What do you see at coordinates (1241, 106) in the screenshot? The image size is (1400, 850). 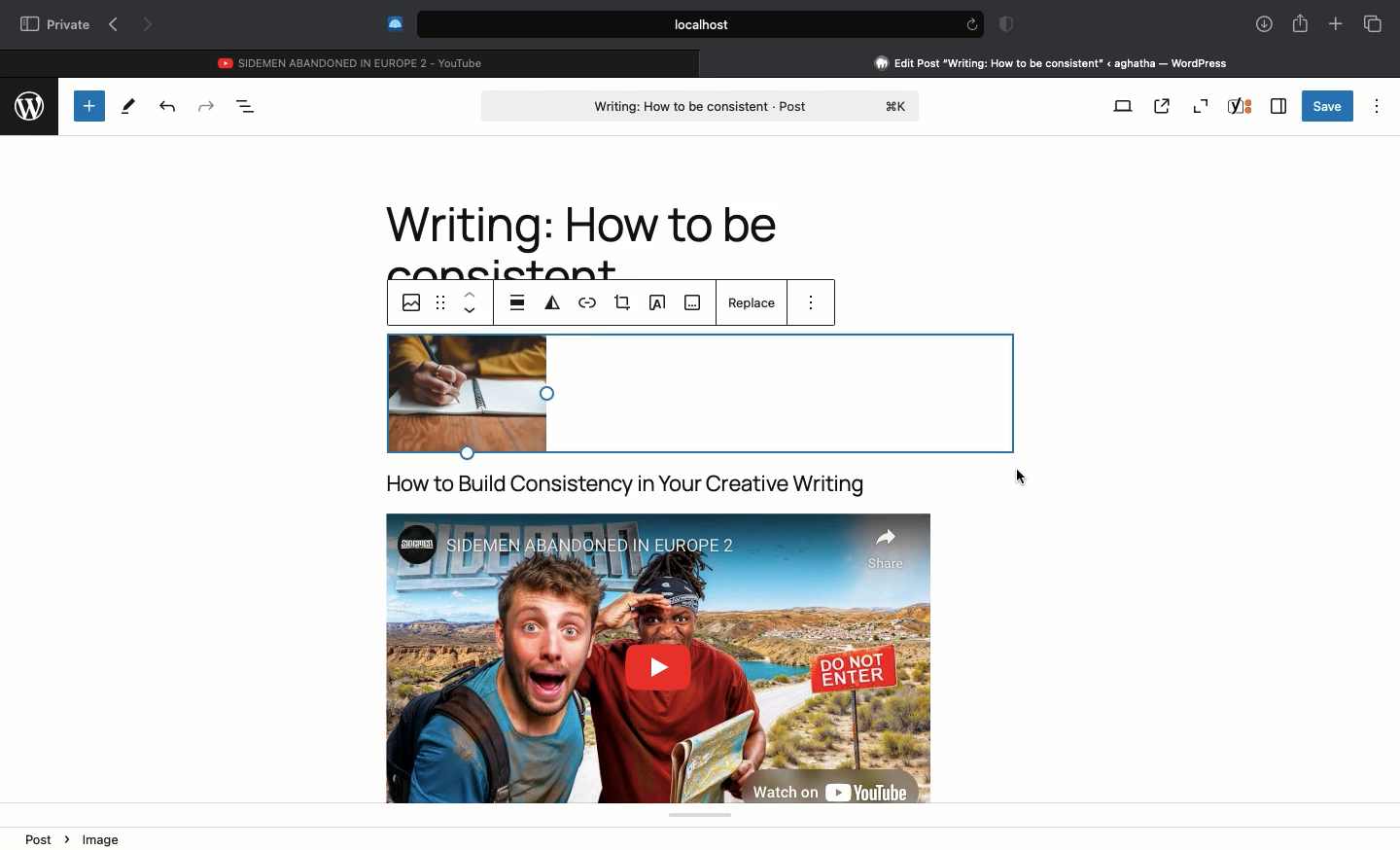 I see `Yoast` at bounding box center [1241, 106].